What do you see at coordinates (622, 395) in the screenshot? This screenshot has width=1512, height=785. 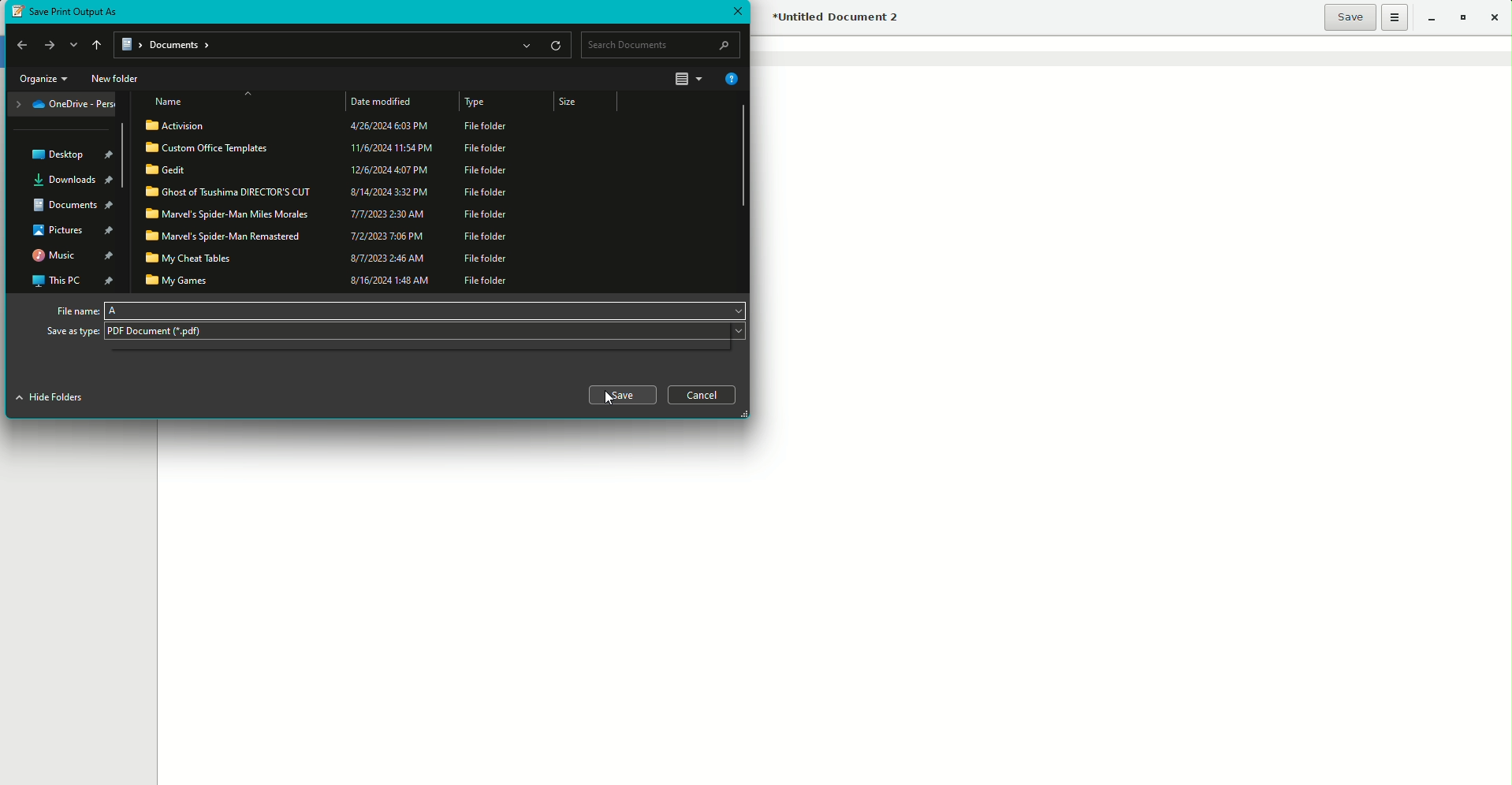 I see `Save` at bounding box center [622, 395].